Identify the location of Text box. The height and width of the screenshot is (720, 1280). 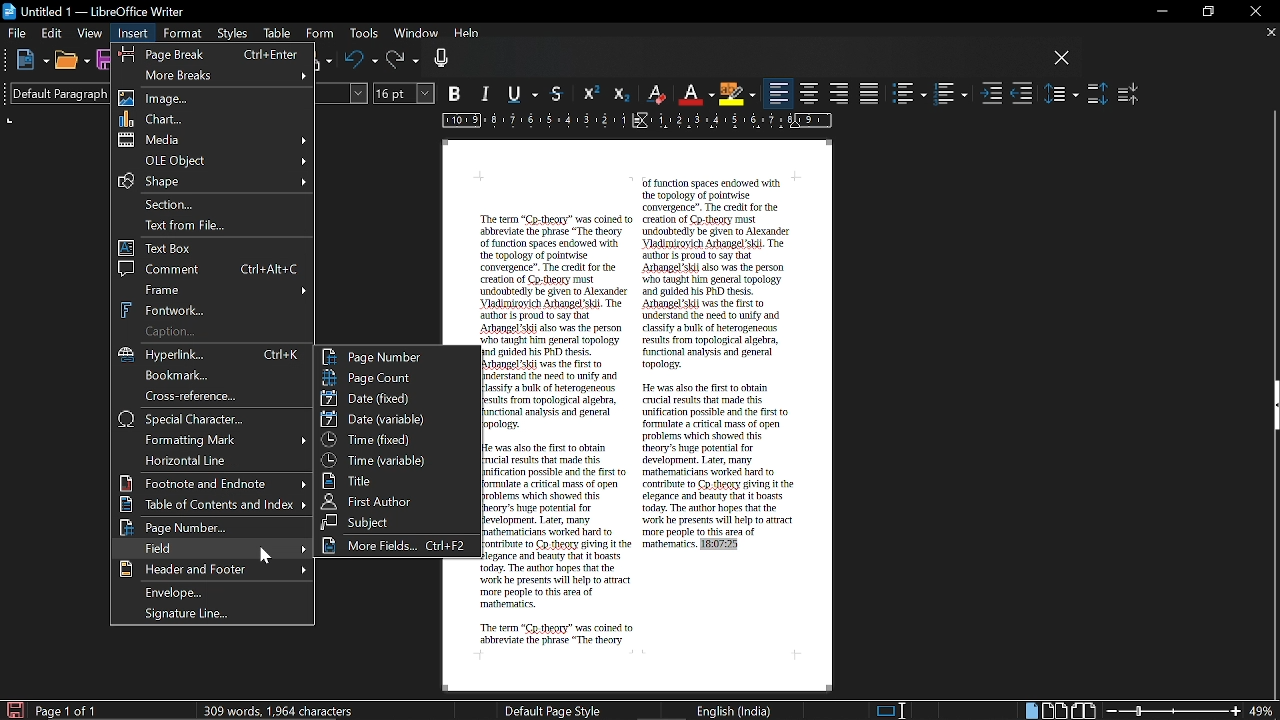
(214, 248).